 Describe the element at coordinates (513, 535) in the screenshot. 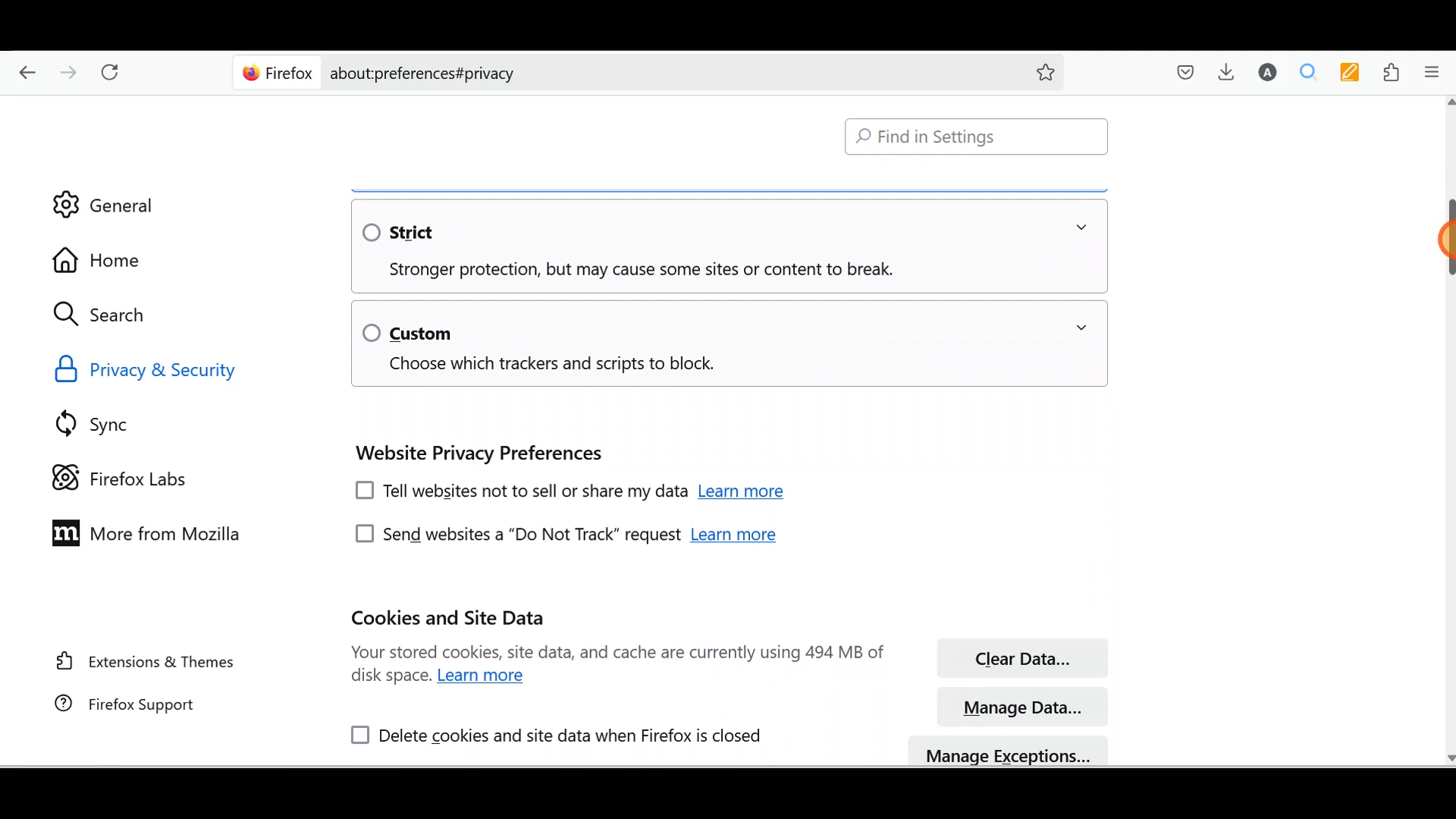

I see `Send websites a "Do Not Track" request.` at that location.